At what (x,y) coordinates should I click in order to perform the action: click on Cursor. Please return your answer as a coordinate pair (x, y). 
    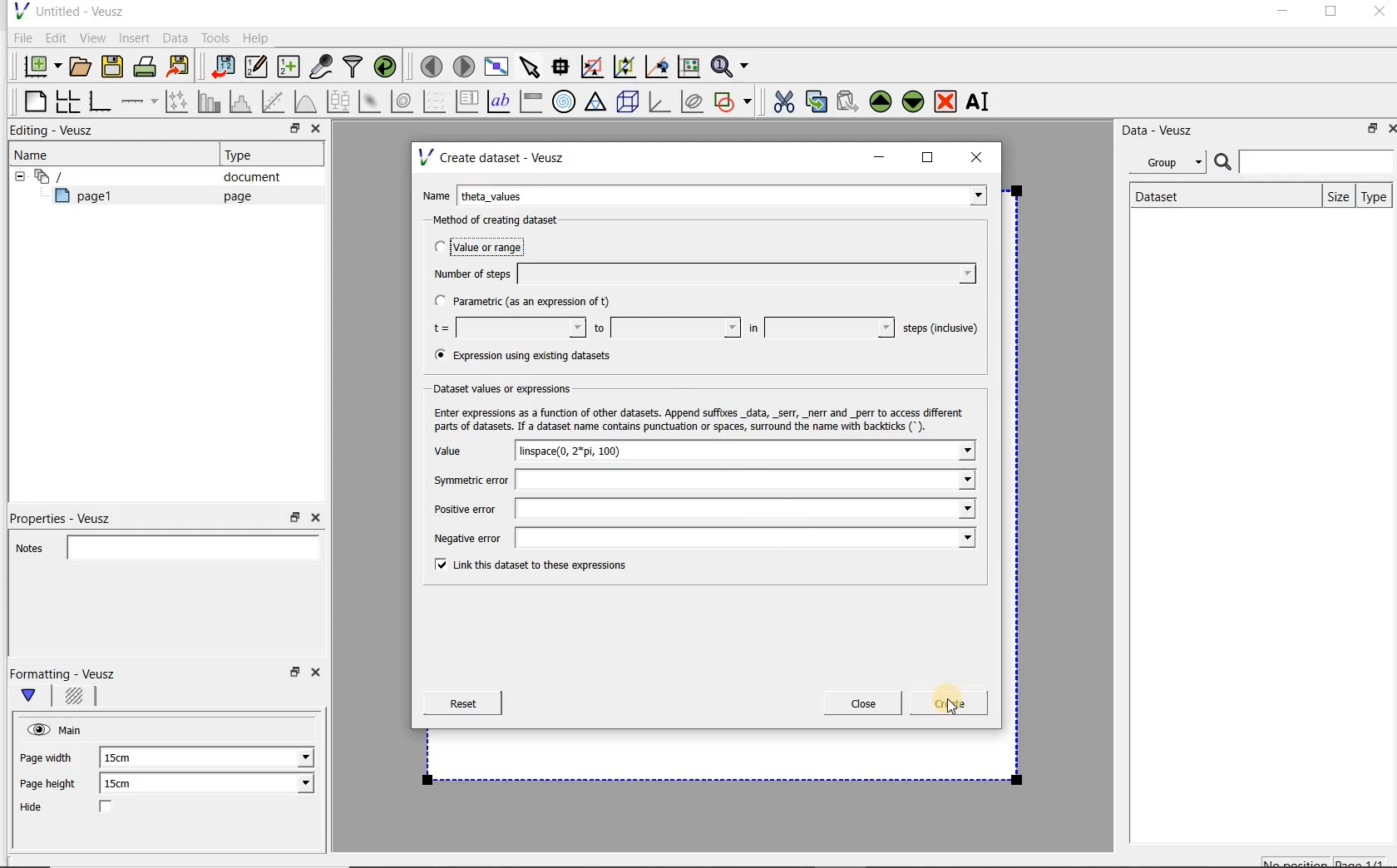
    Looking at the image, I should click on (955, 698).